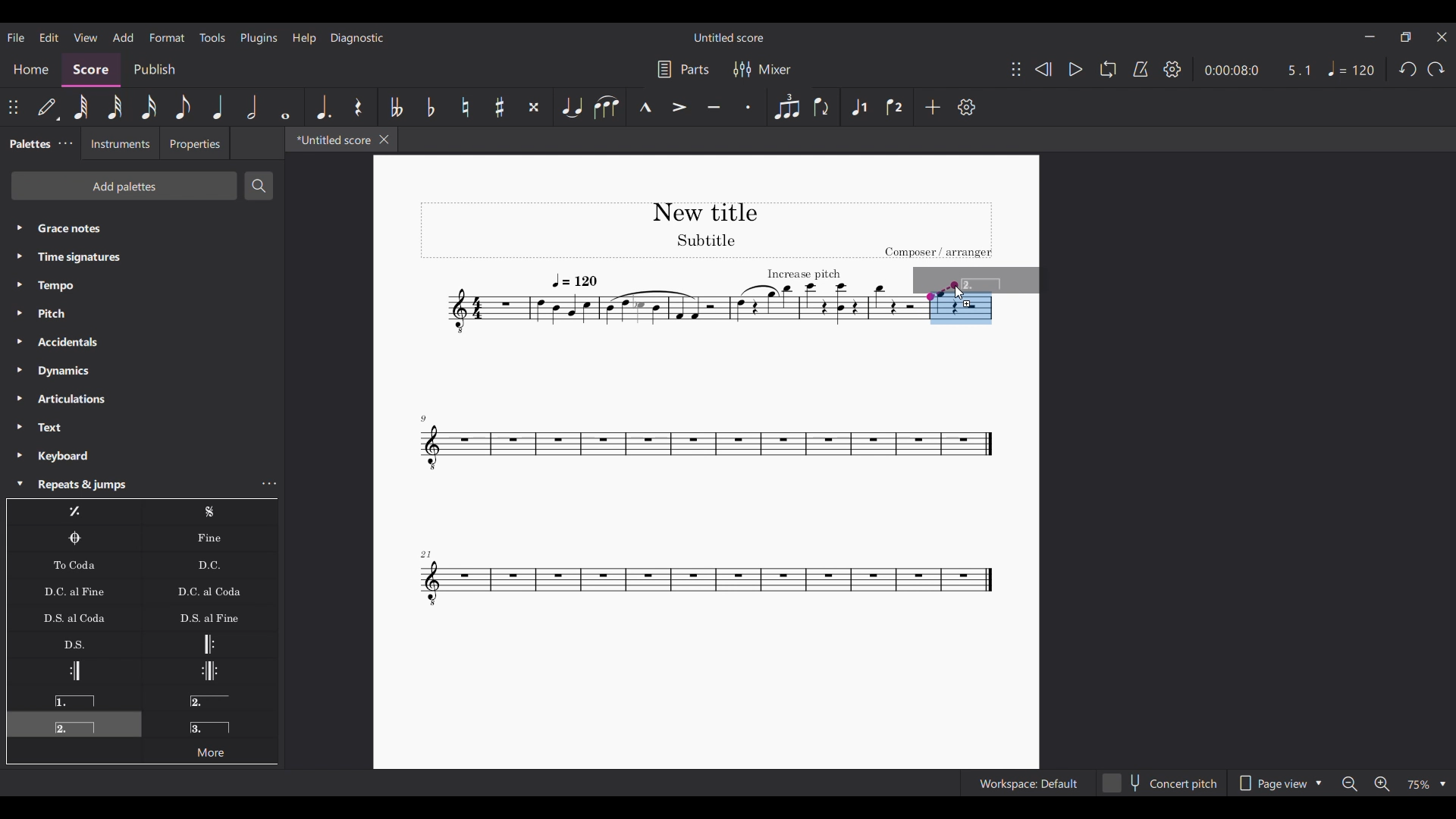 The width and height of the screenshot is (1456, 819). I want to click on Repeats & jumps highlighted by cursor, so click(129, 485).